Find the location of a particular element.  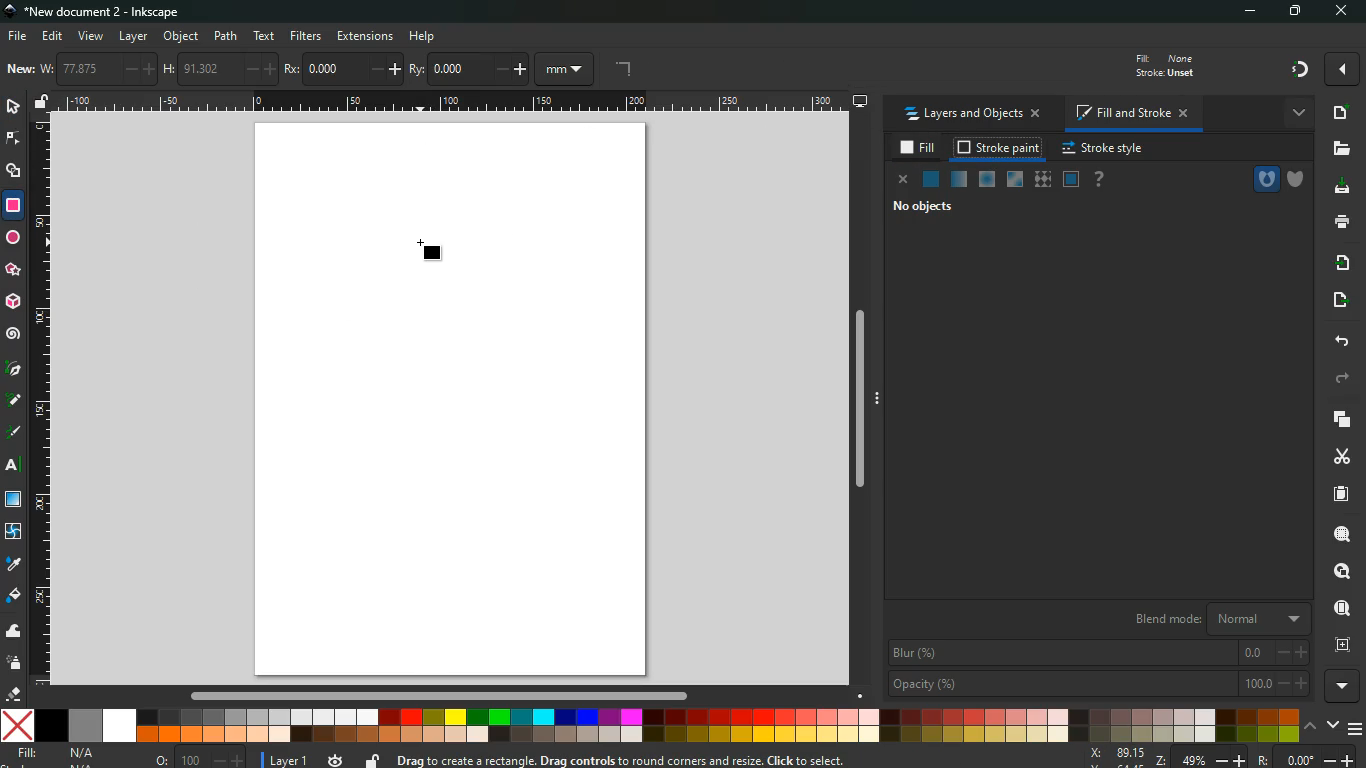

cursor is located at coordinates (417, 241).